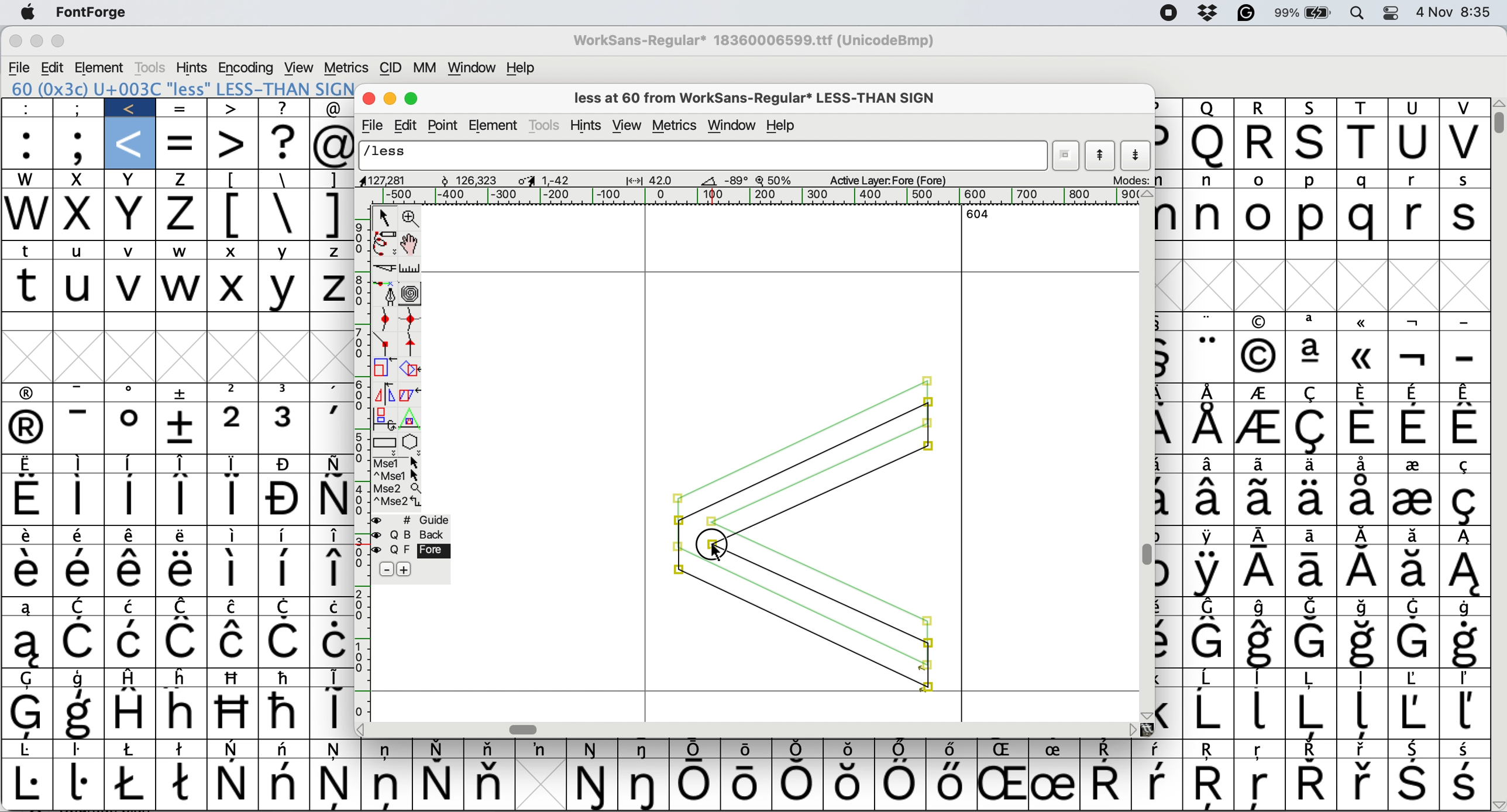 The image size is (1507, 812). Describe the element at coordinates (235, 536) in the screenshot. I see `Symbol` at that location.